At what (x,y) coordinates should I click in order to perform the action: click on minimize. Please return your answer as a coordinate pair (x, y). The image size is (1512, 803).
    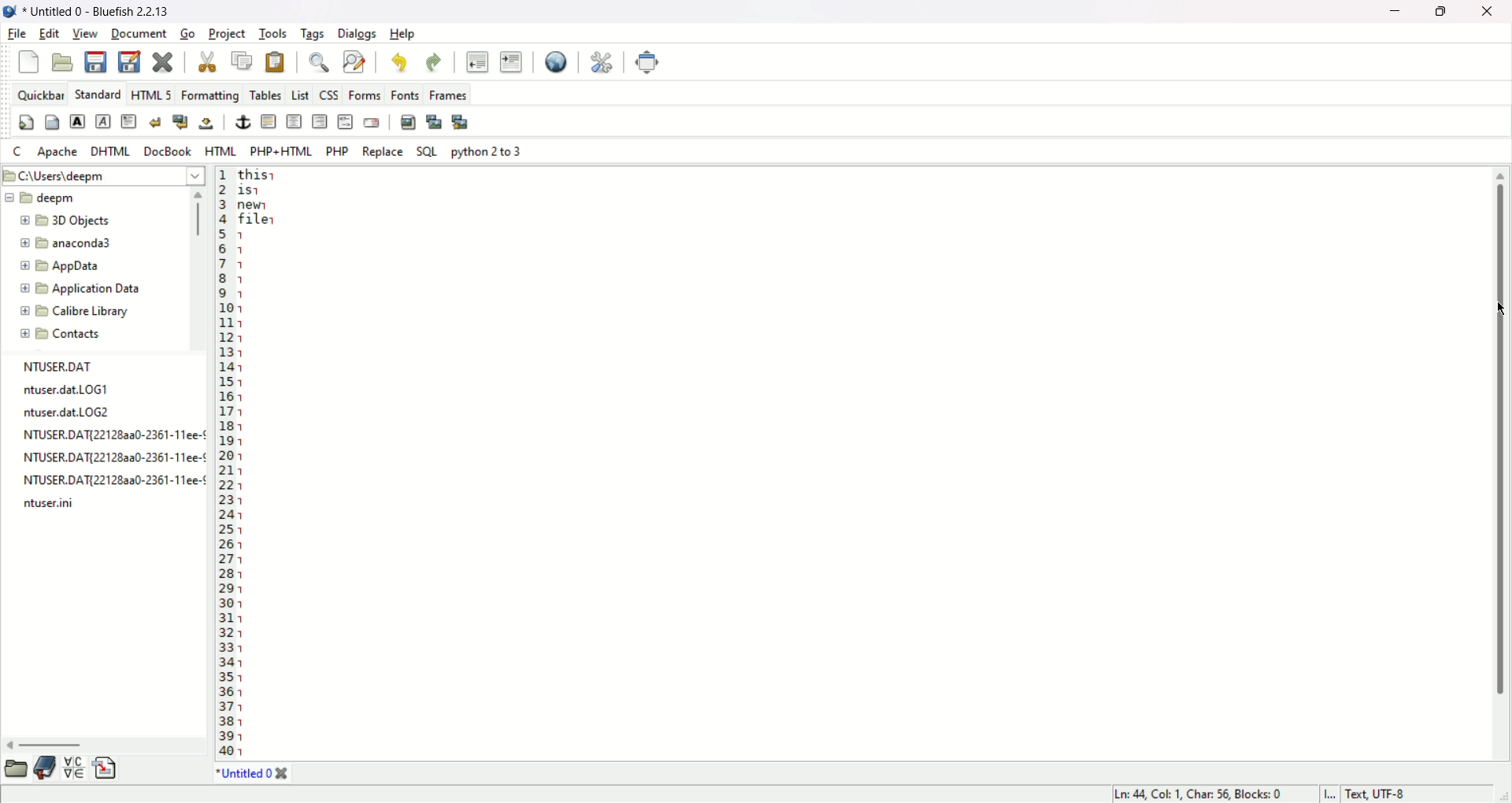
    Looking at the image, I should click on (1399, 11).